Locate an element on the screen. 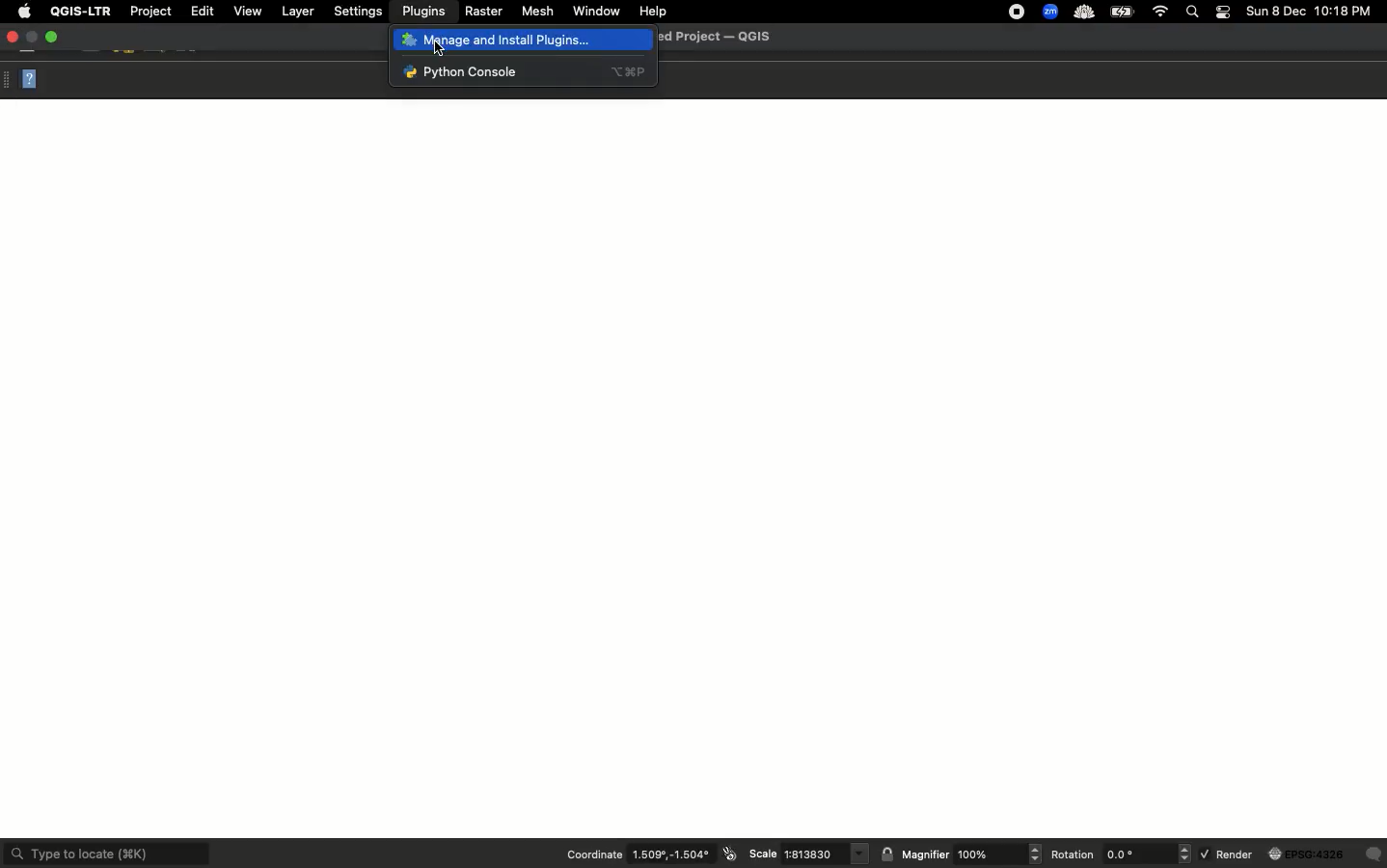 Image resolution: width=1387 pixels, height=868 pixels. Untitled is located at coordinates (724, 36).